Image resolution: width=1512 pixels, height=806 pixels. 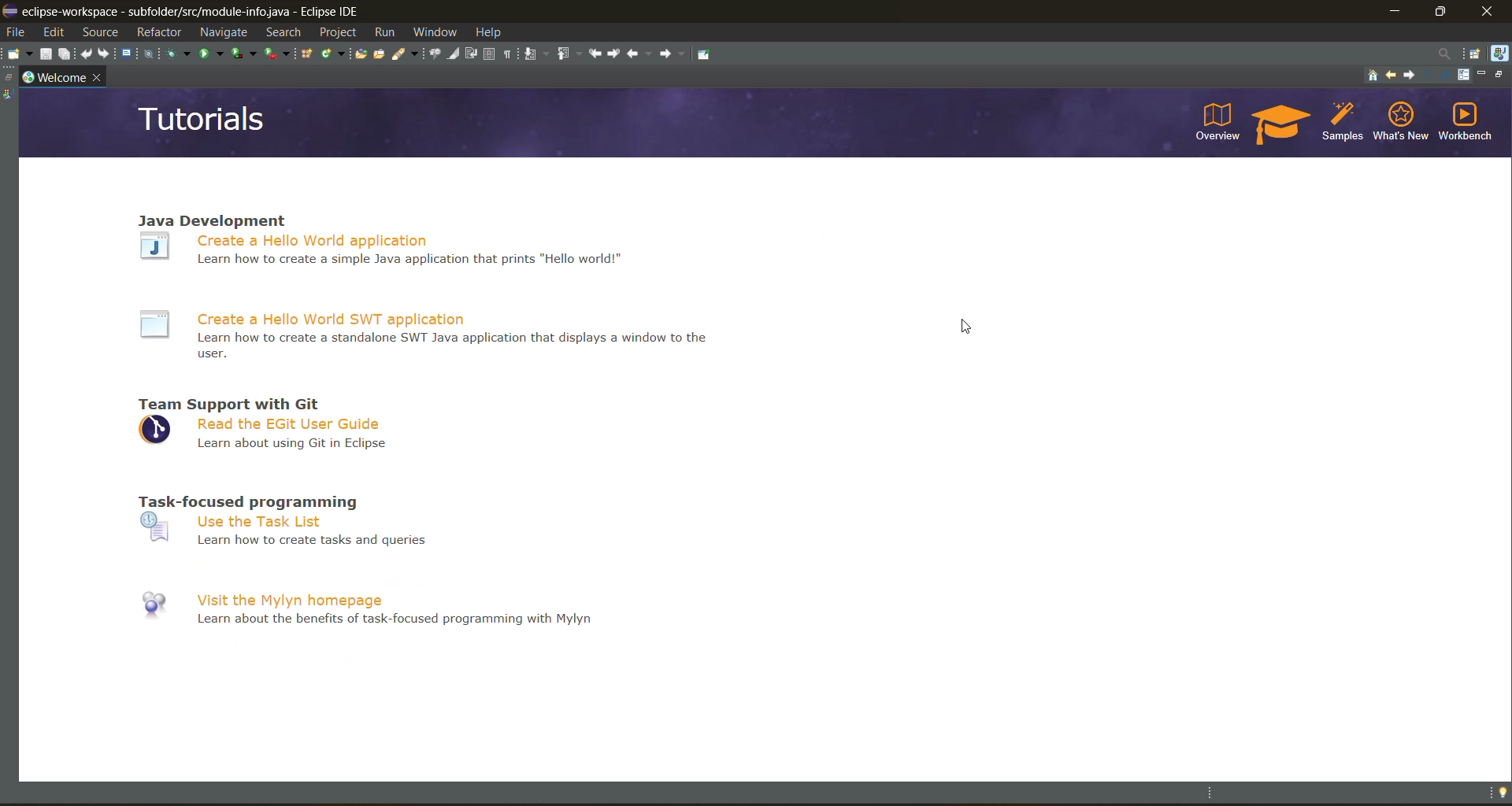 I want to click on open a terminal, so click(x=128, y=52).